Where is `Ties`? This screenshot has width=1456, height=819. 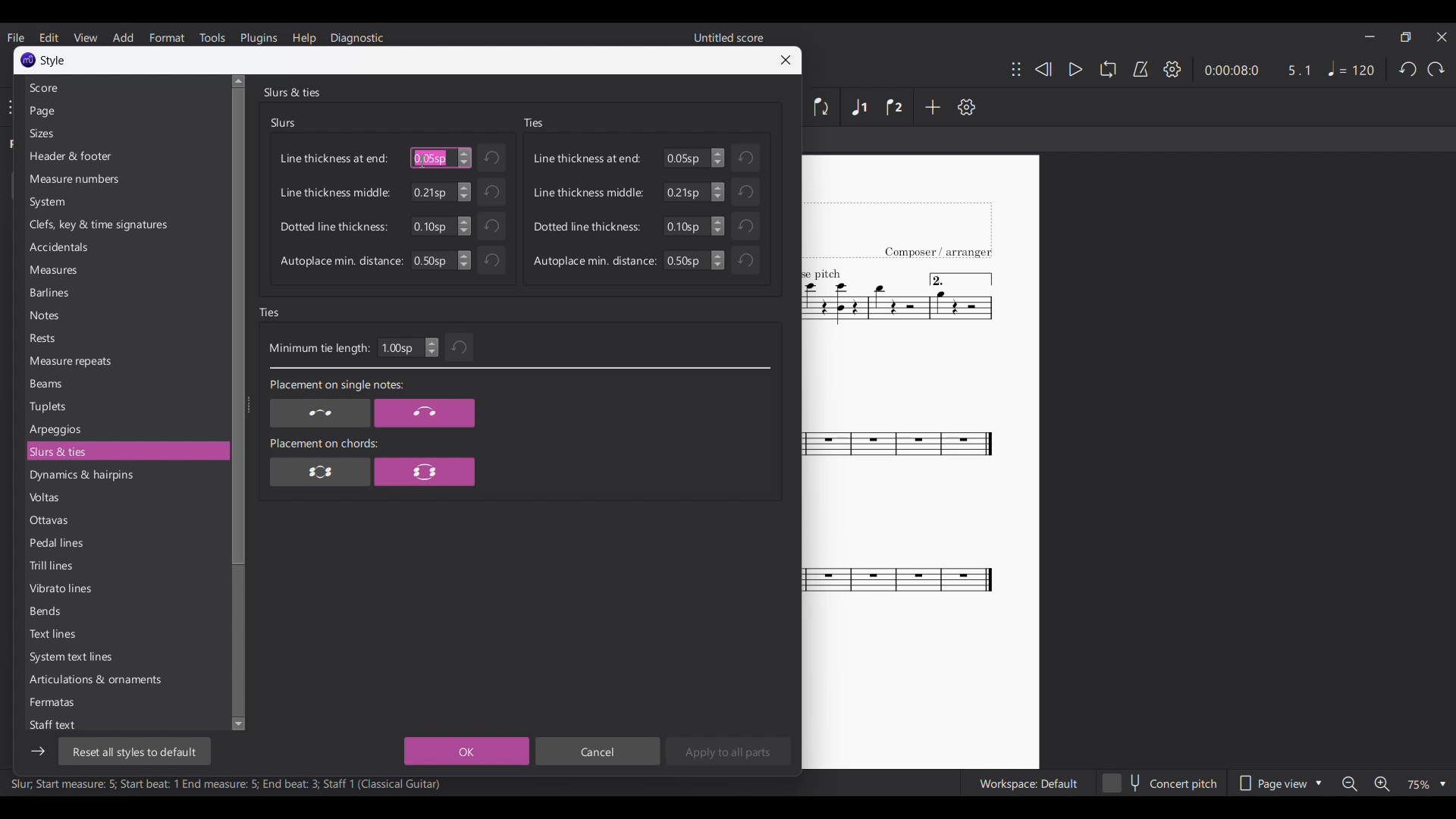 Ties is located at coordinates (533, 123).